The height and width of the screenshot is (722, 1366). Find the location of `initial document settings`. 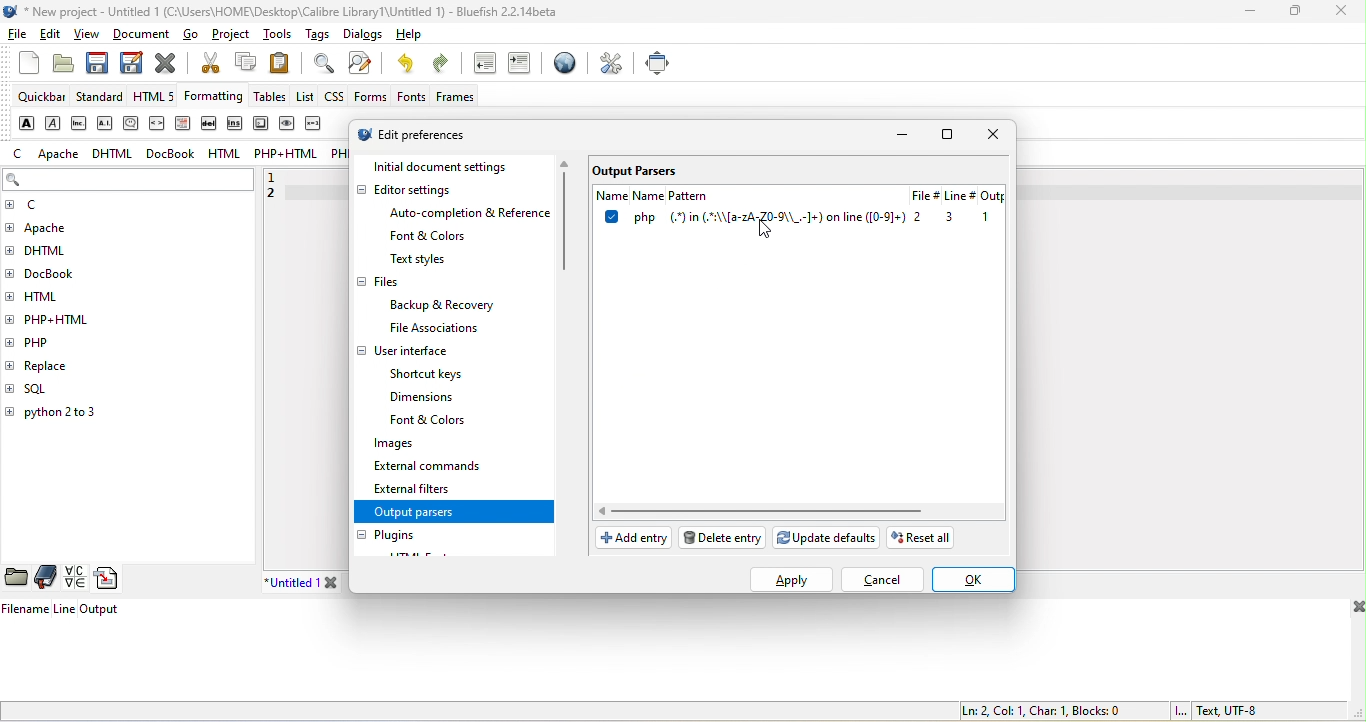

initial document settings is located at coordinates (456, 167).